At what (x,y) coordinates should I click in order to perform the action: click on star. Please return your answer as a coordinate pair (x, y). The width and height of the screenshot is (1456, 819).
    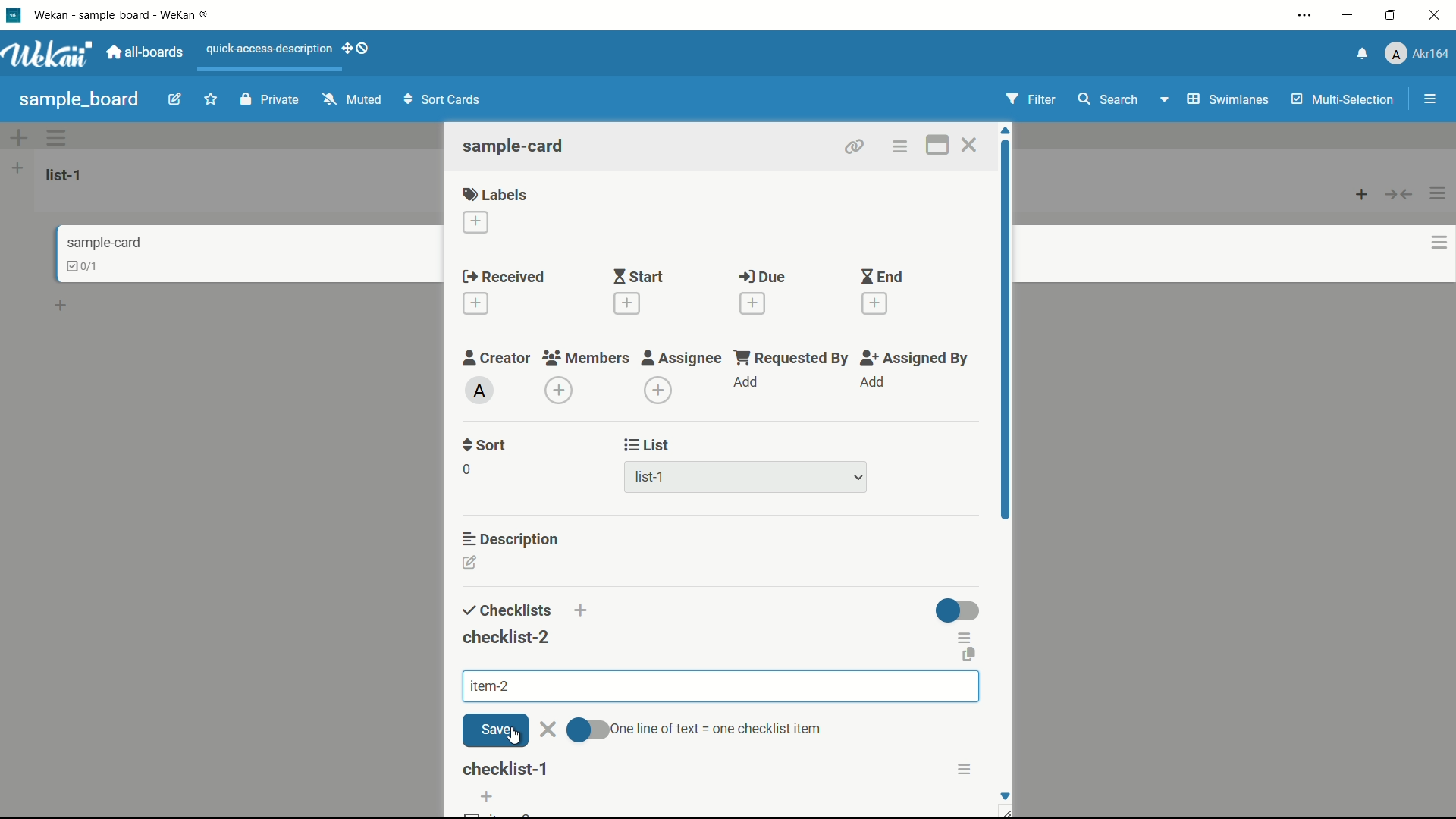
    Looking at the image, I should click on (213, 101).